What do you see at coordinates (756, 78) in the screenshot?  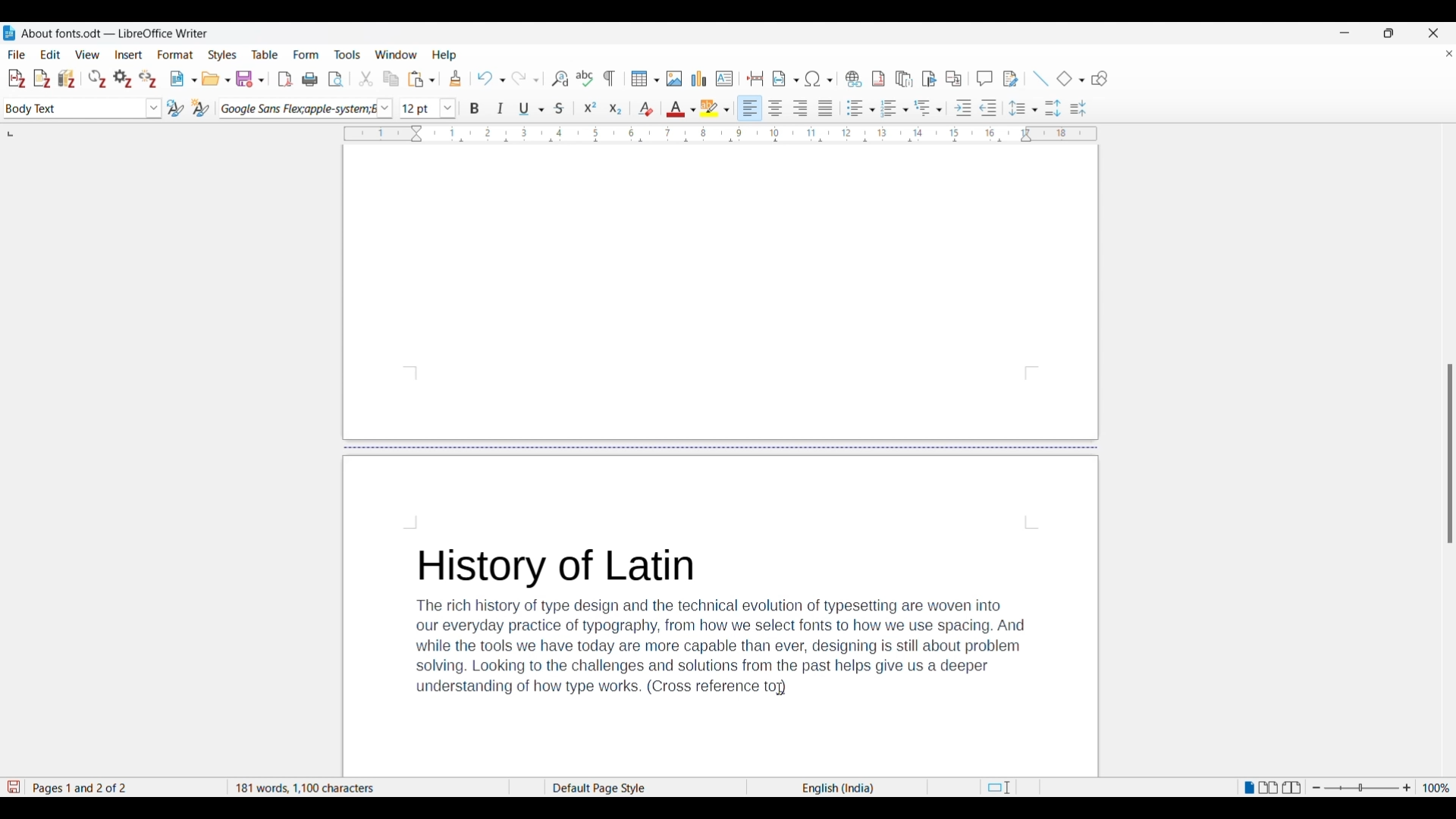 I see `Insert page break` at bounding box center [756, 78].